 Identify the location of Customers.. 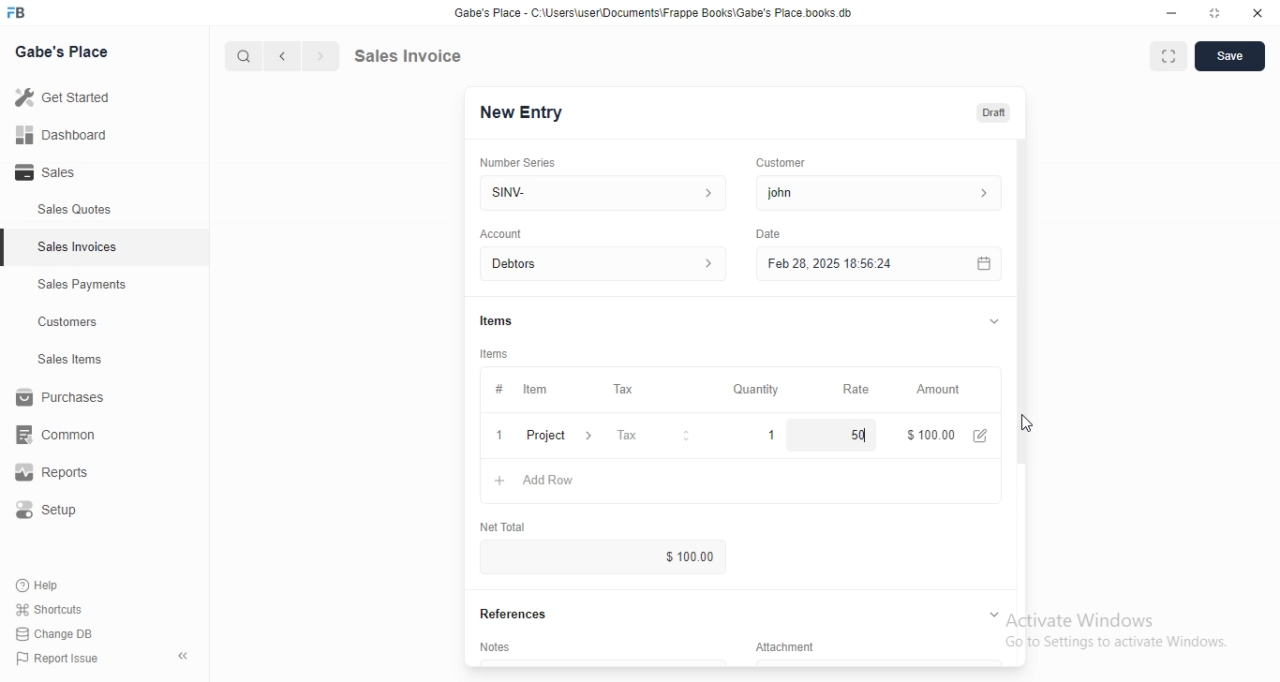
(62, 324).